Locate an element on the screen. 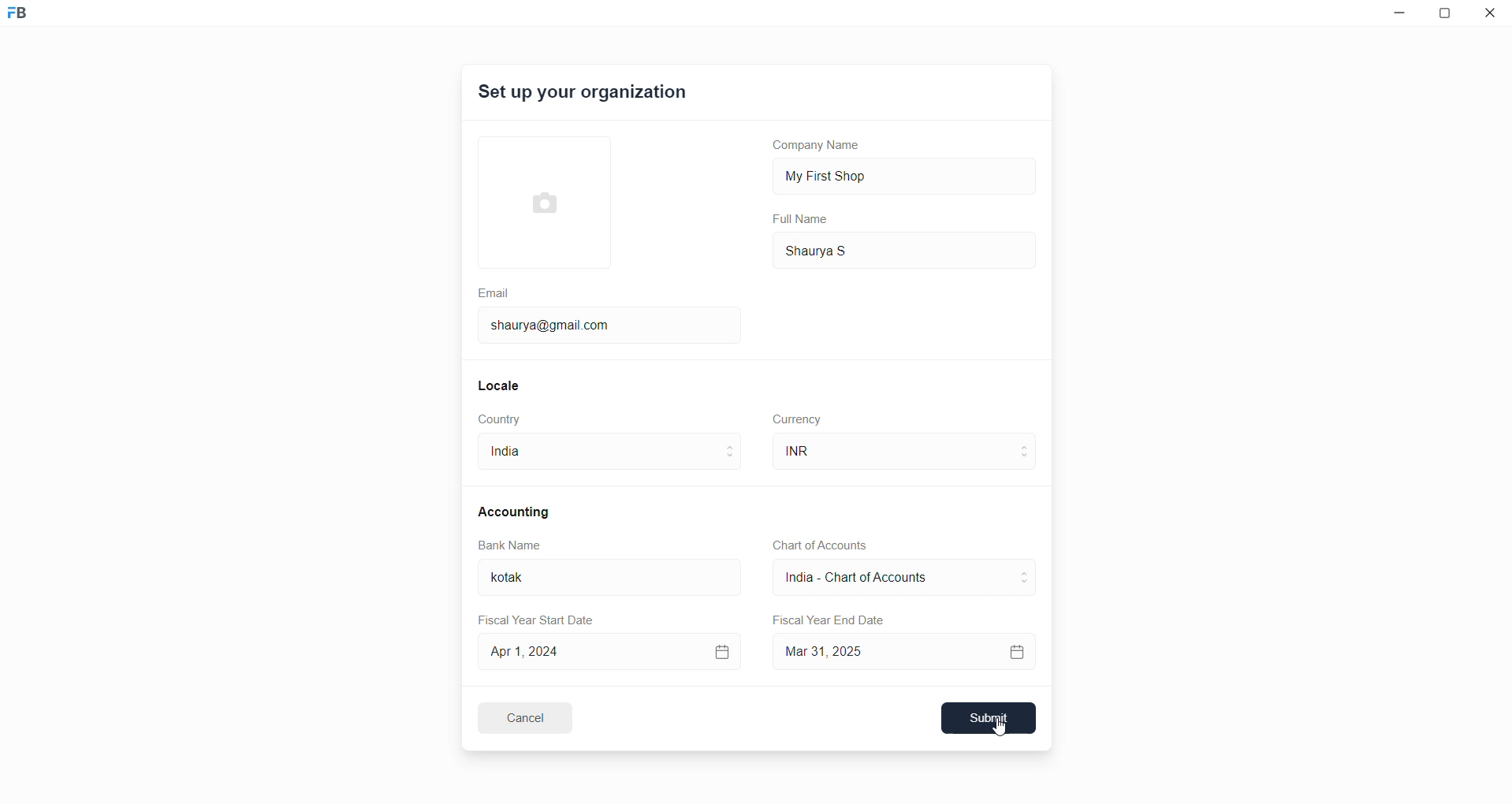  move to below country is located at coordinates (733, 461).